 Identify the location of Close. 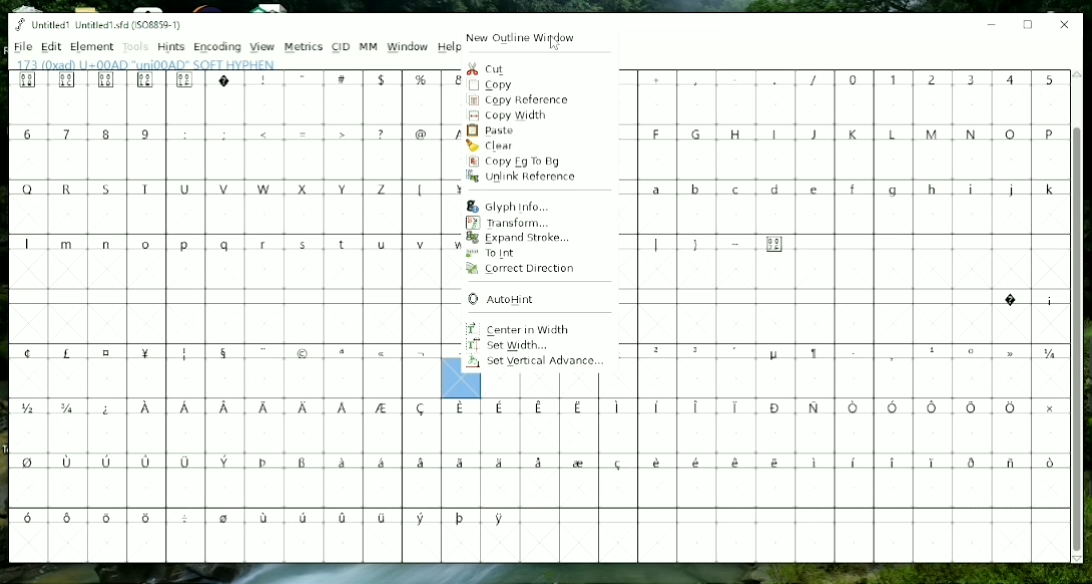
(1065, 25).